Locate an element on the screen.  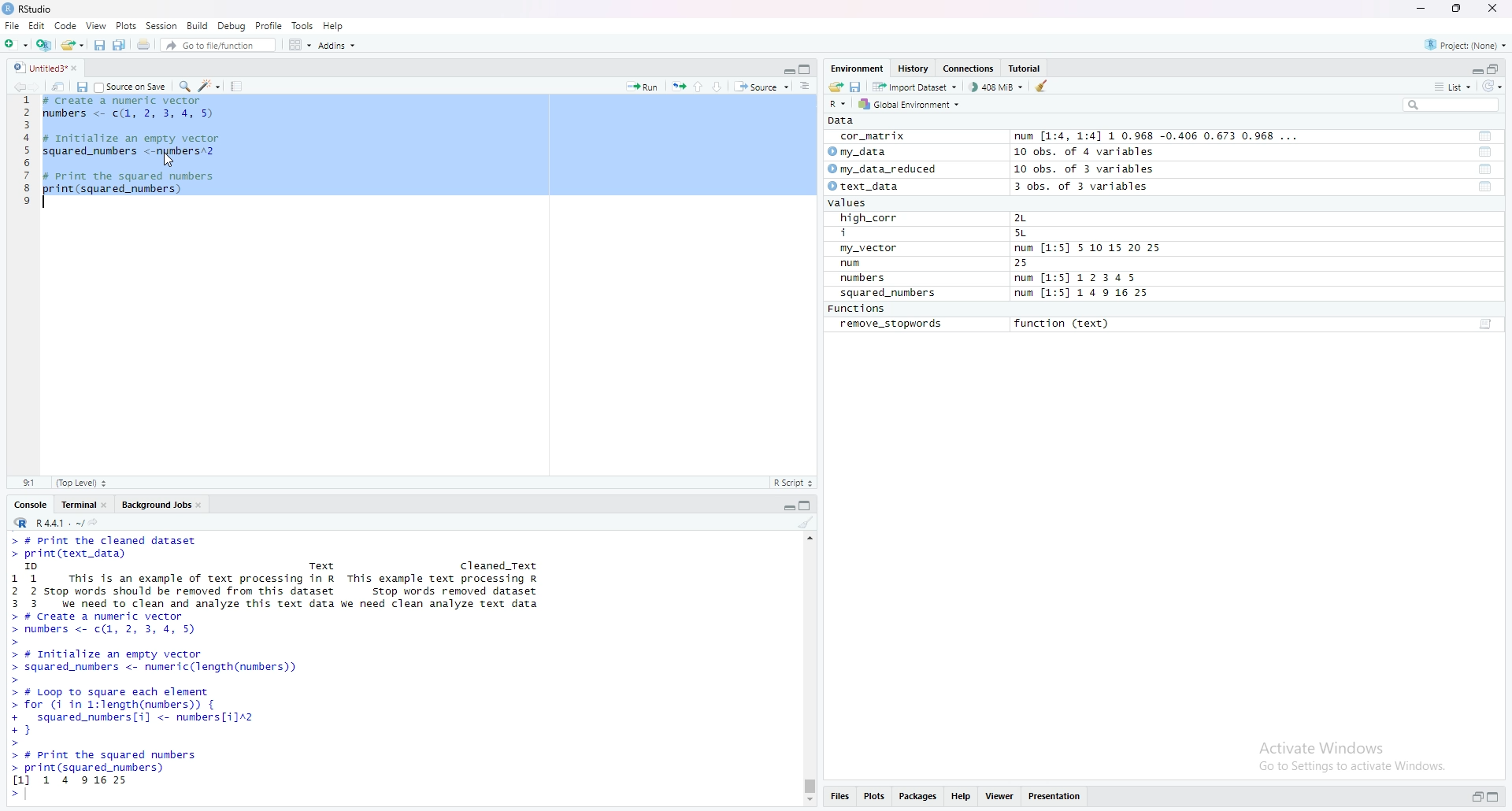
verical scrollbar is located at coordinates (808, 786).